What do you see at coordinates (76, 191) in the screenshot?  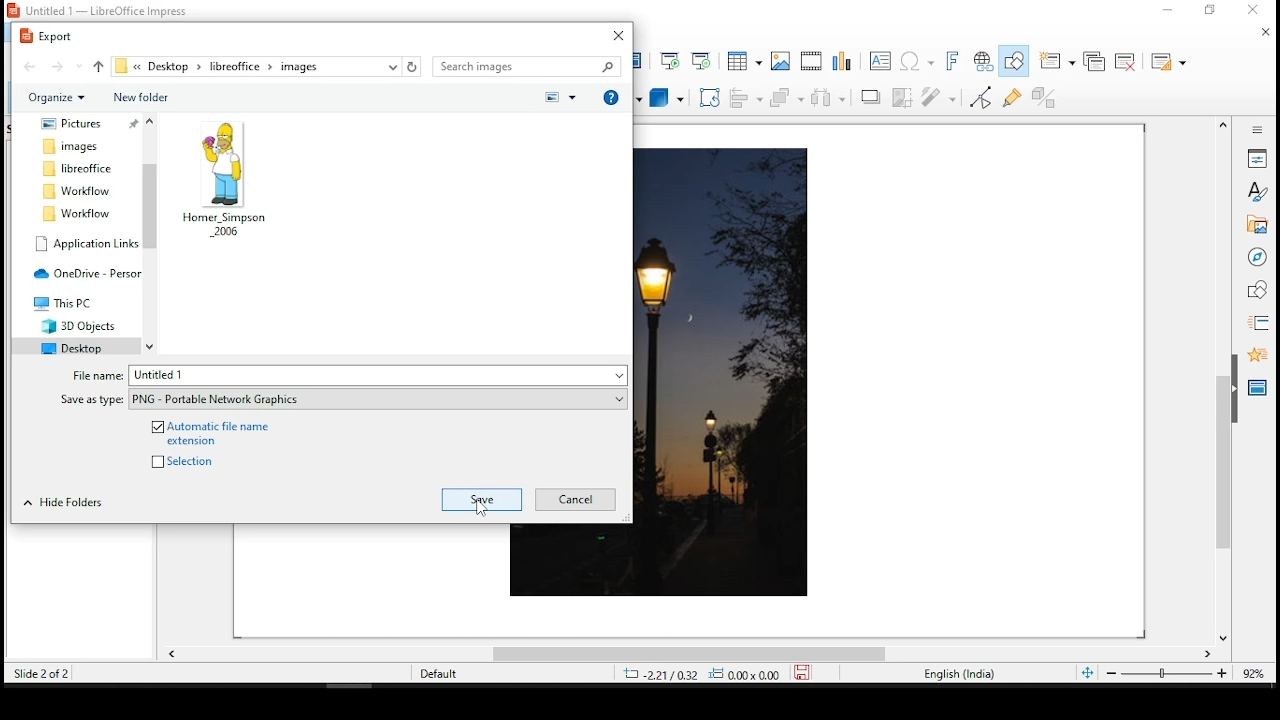 I see `folder` at bounding box center [76, 191].